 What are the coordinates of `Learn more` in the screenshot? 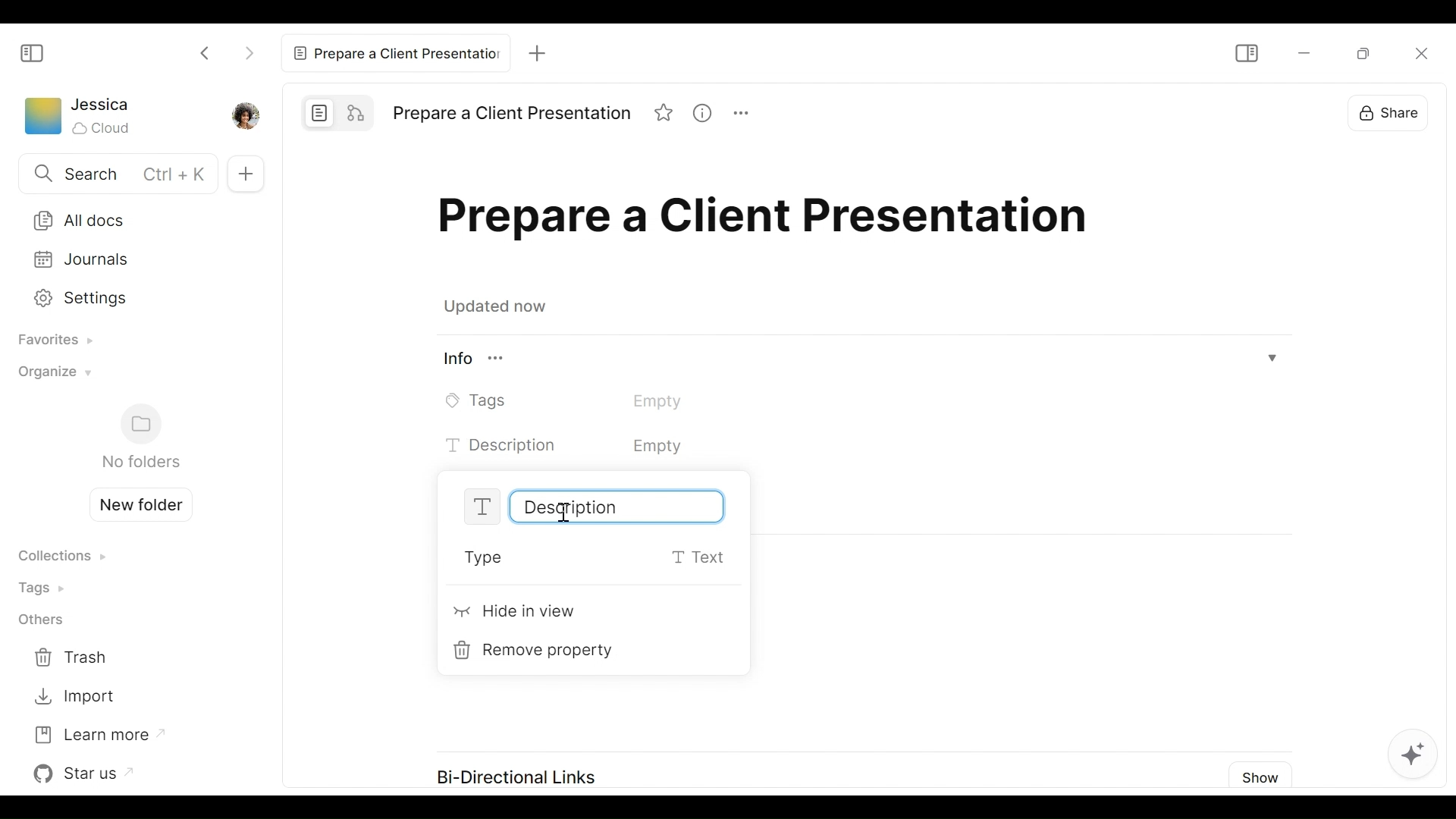 It's located at (98, 733).